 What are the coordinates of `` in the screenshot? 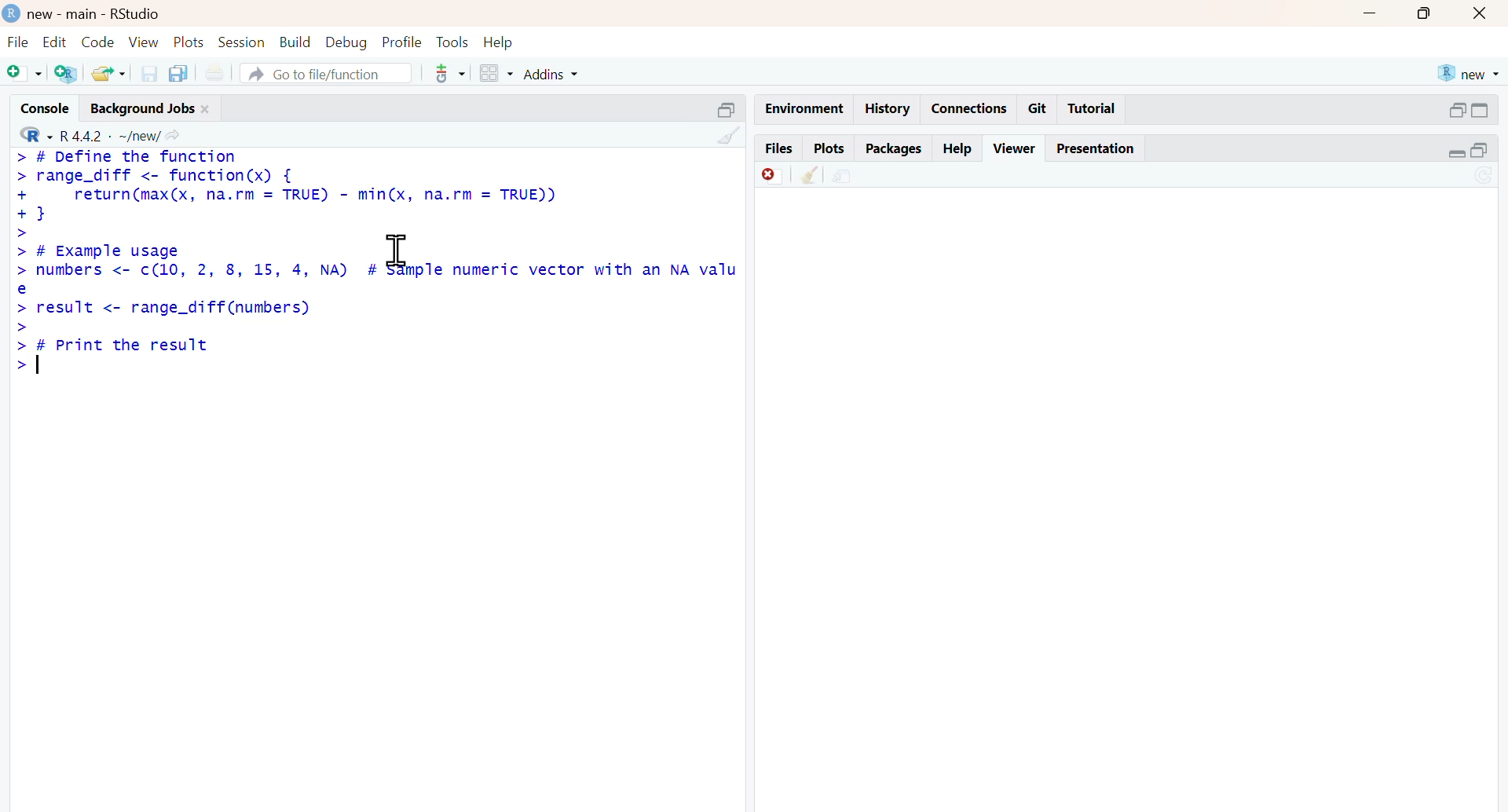 It's located at (727, 110).